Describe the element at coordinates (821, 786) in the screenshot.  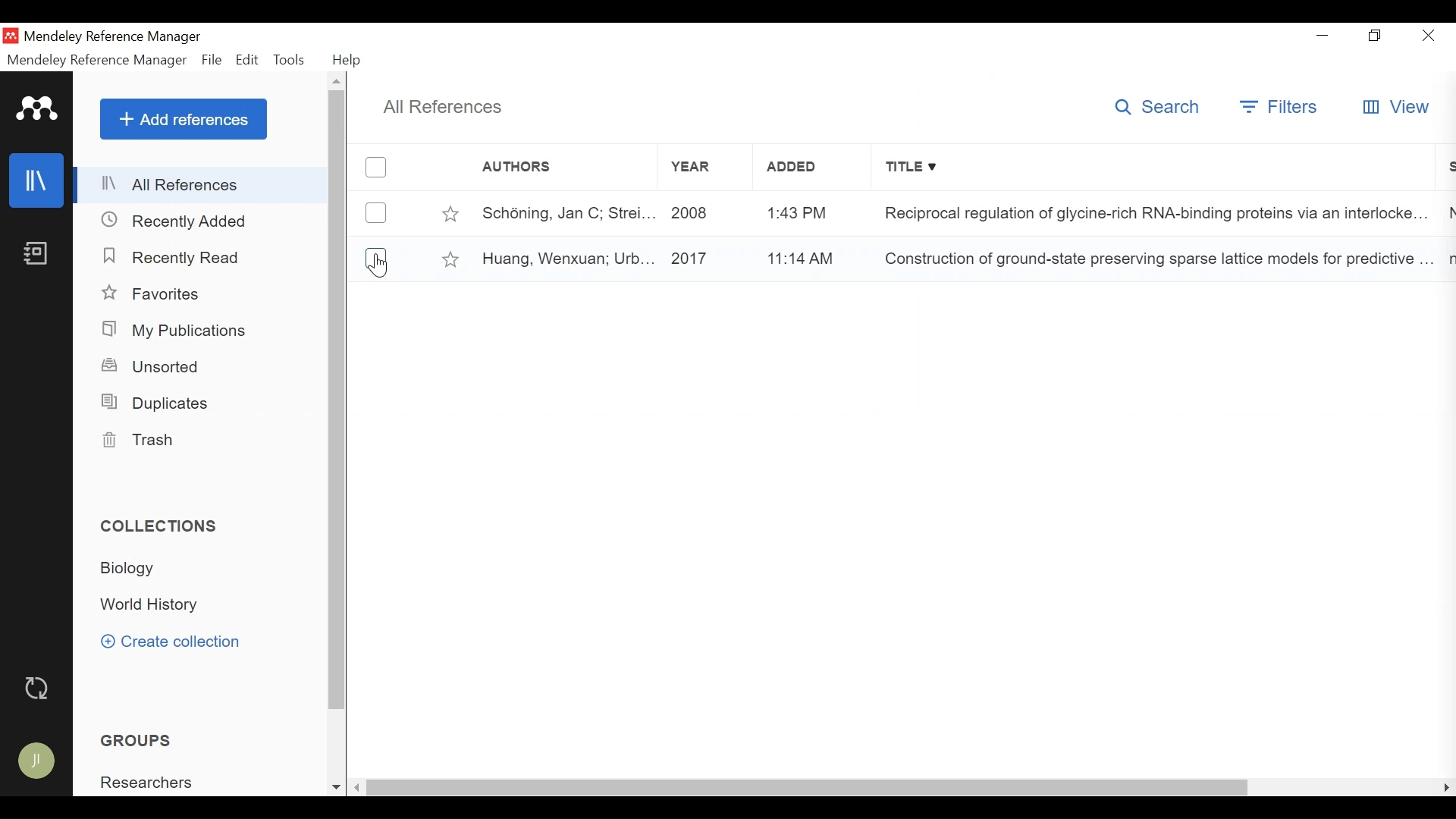
I see `Scroll bar` at that location.